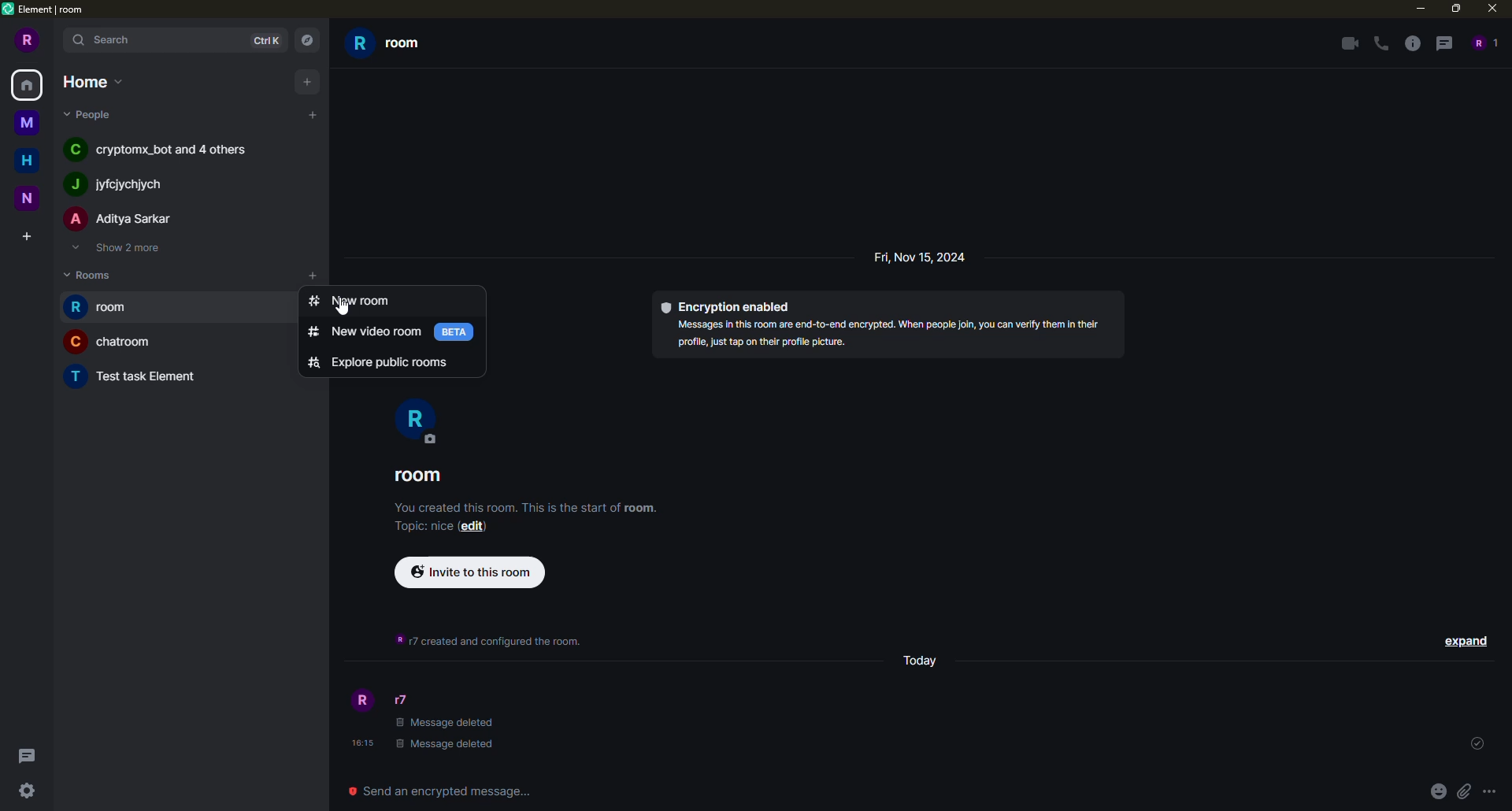  Describe the element at coordinates (457, 331) in the screenshot. I see `beta` at that location.